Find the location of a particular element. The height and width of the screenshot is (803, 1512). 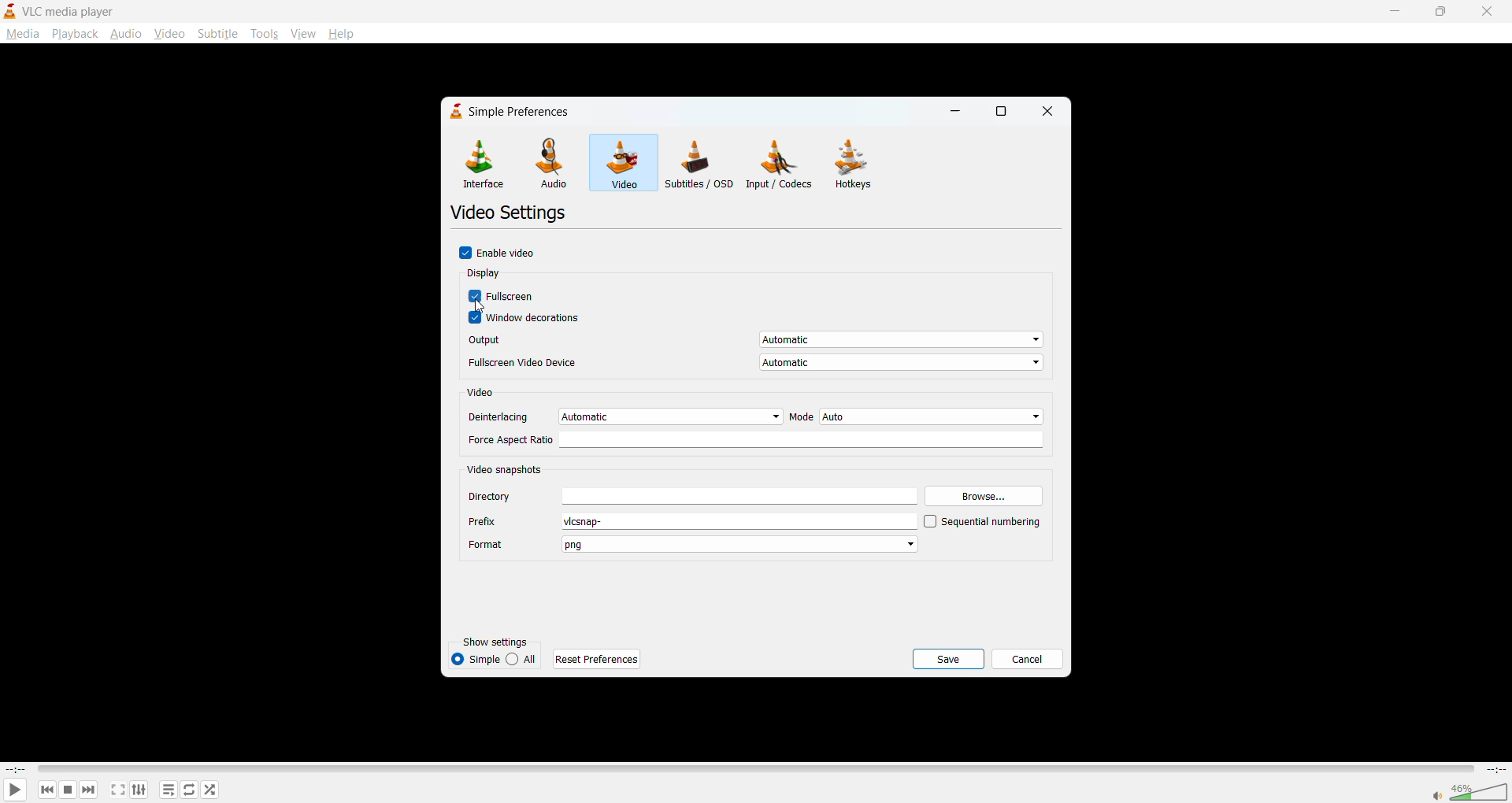

reset preferences is located at coordinates (599, 658).